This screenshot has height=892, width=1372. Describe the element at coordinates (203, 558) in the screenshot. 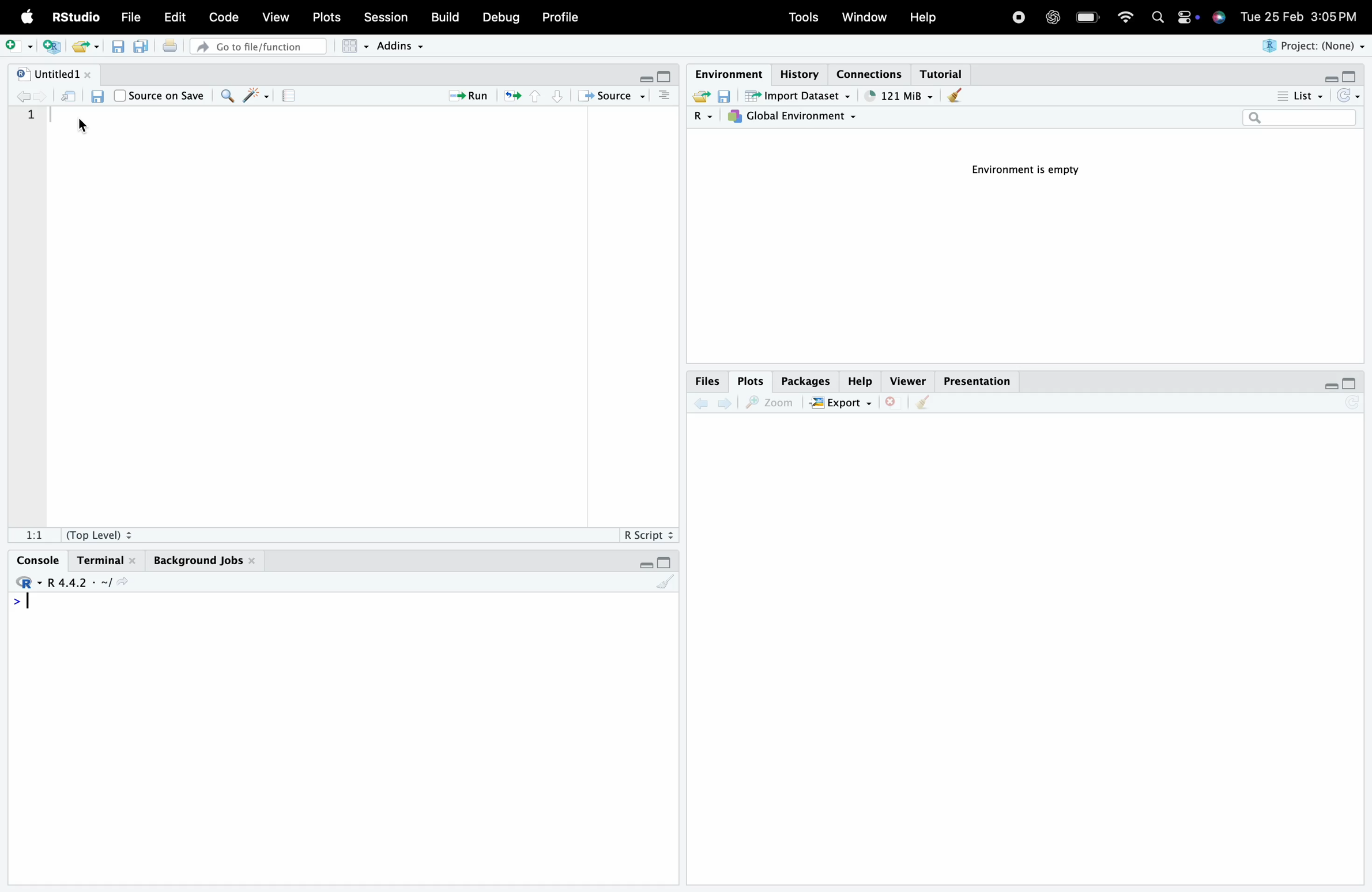

I see `Background Jobs` at that location.